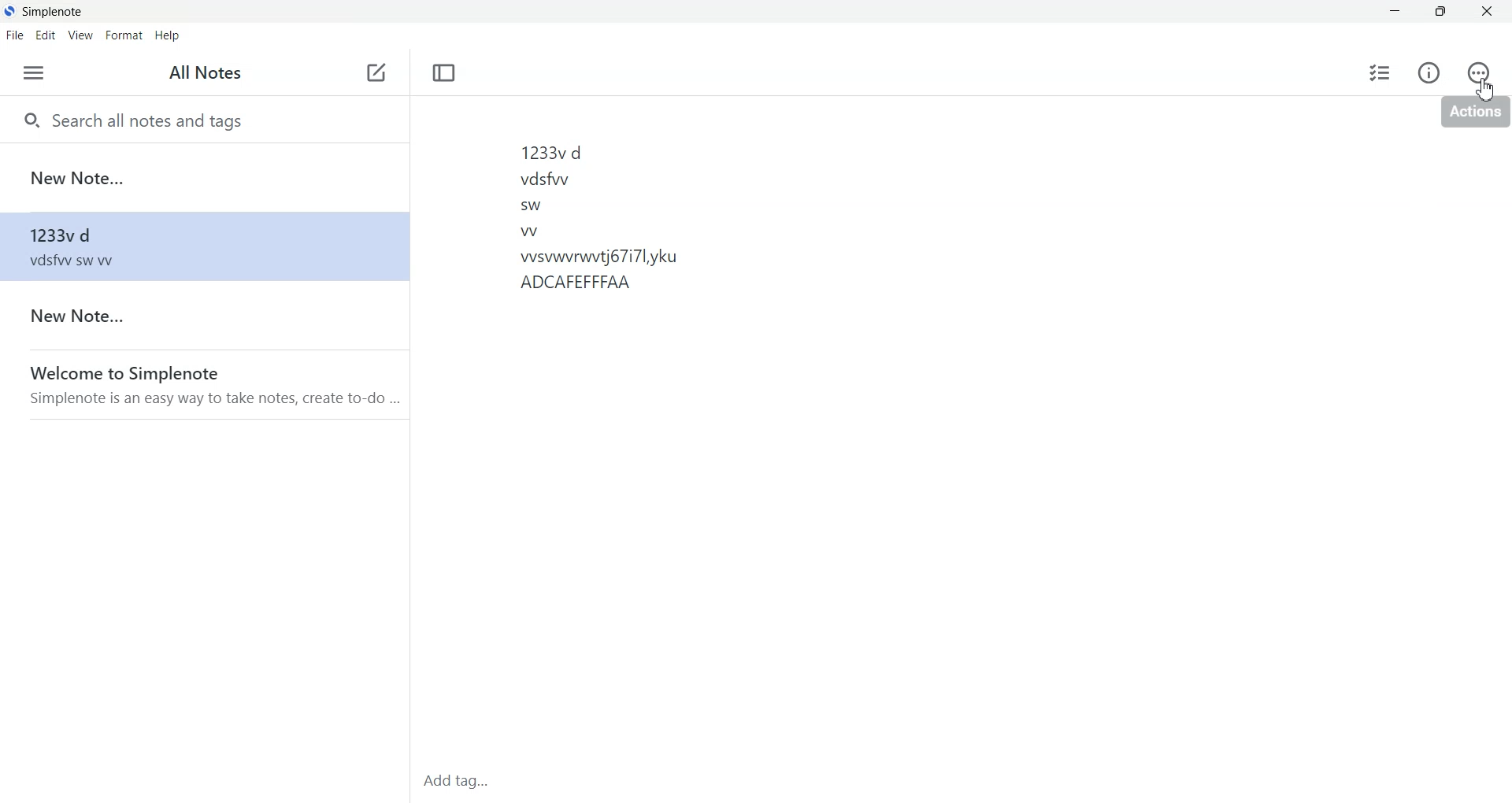 The image size is (1512, 803). I want to click on New note, so click(203, 316).